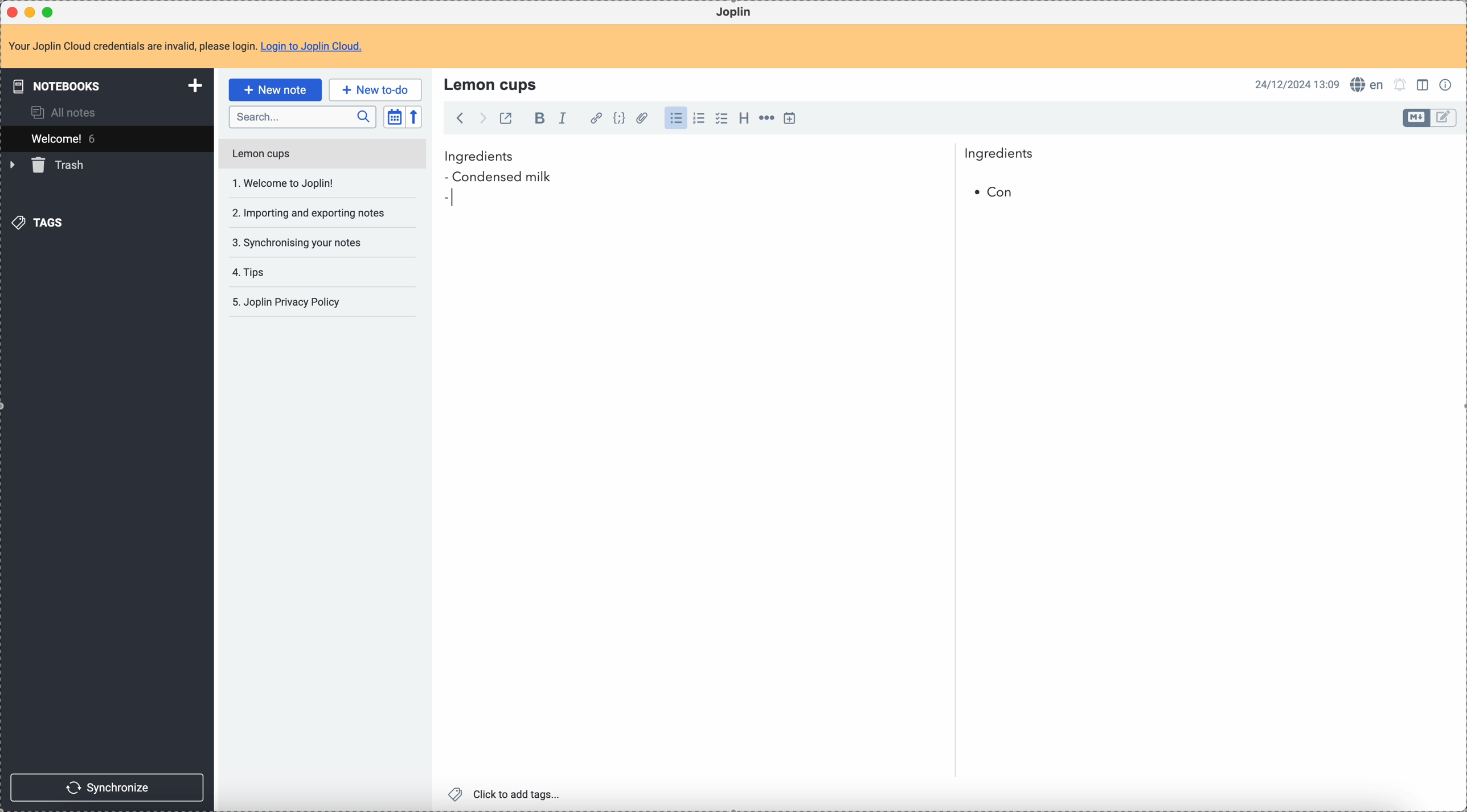  What do you see at coordinates (640, 119) in the screenshot?
I see `attach file` at bounding box center [640, 119].